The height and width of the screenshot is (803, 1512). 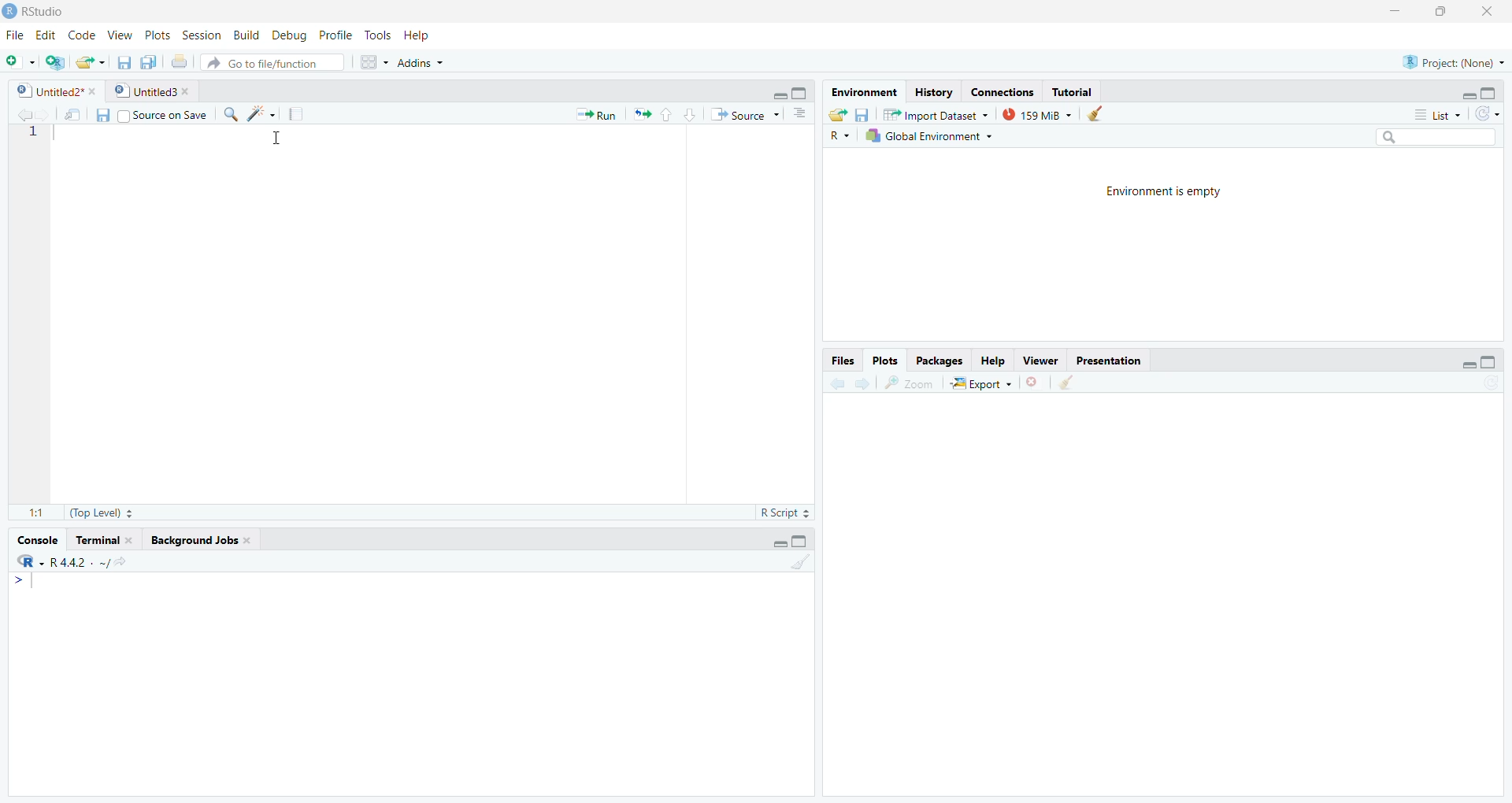 I want to click on Environment is empty, so click(x=1164, y=190).